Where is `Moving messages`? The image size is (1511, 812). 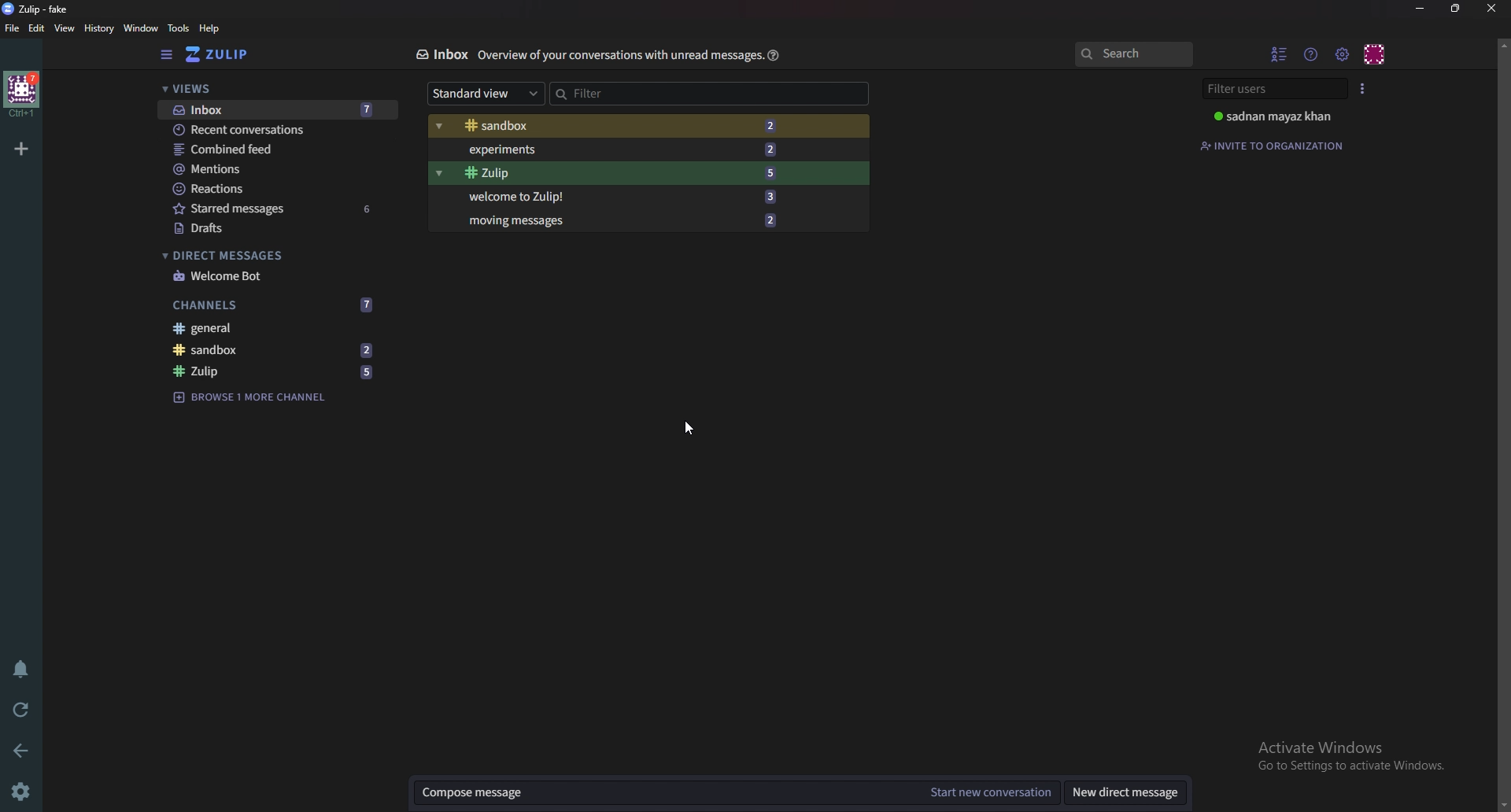 Moving messages is located at coordinates (621, 219).